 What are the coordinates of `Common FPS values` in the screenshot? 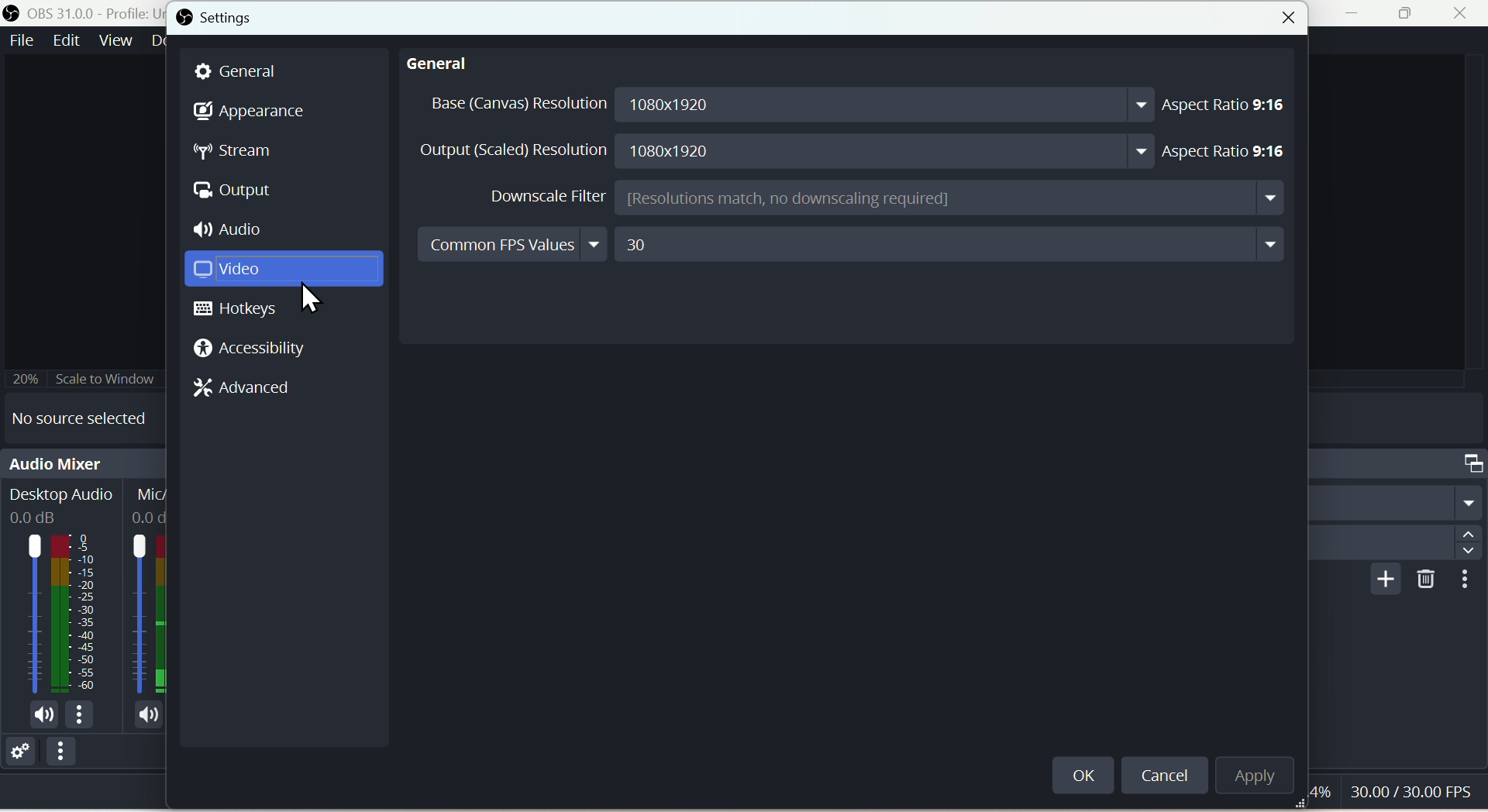 It's located at (853, 245).